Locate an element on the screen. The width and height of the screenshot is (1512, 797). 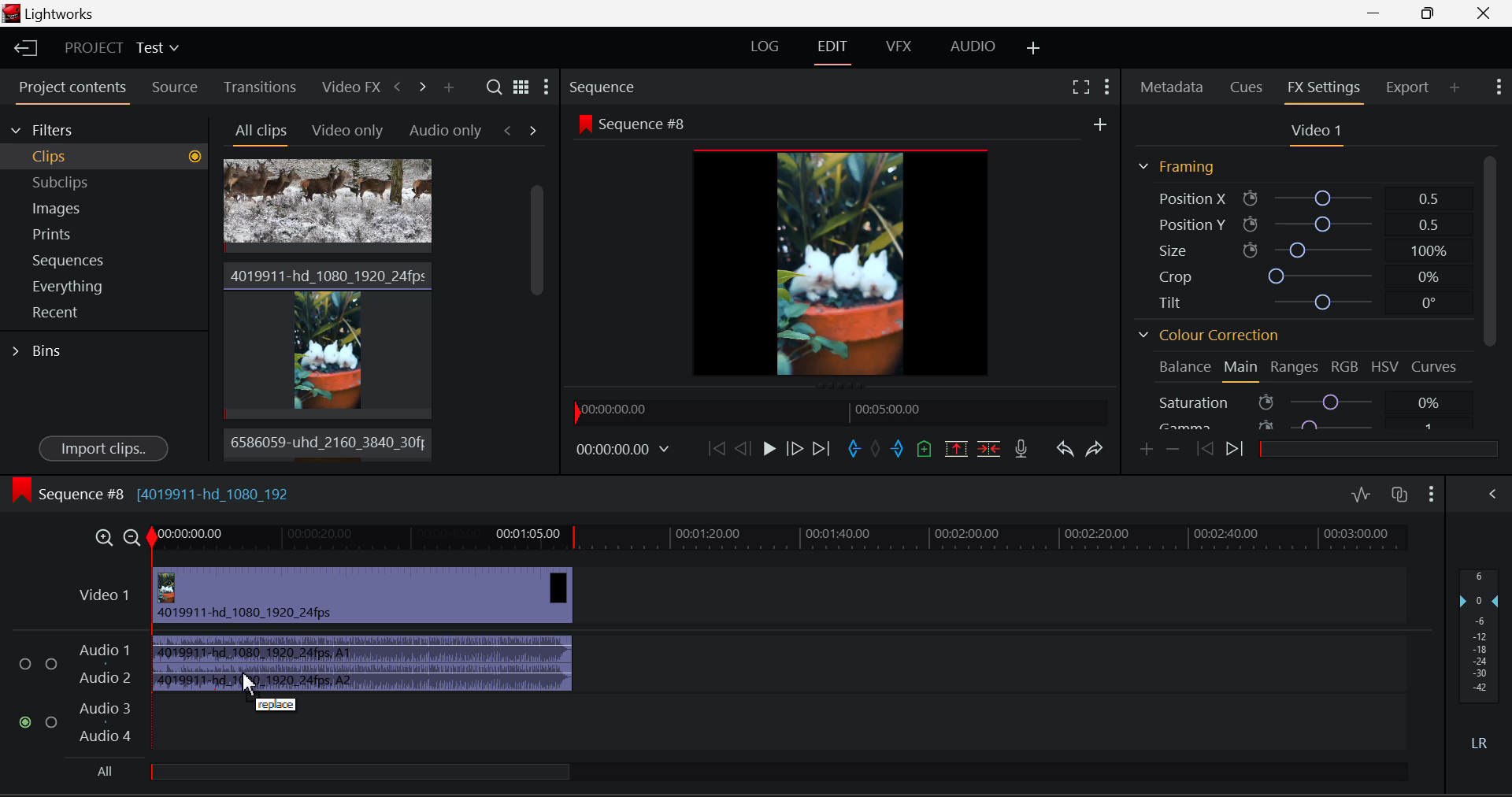
Previous Panel is located at coordinates (397, 89).